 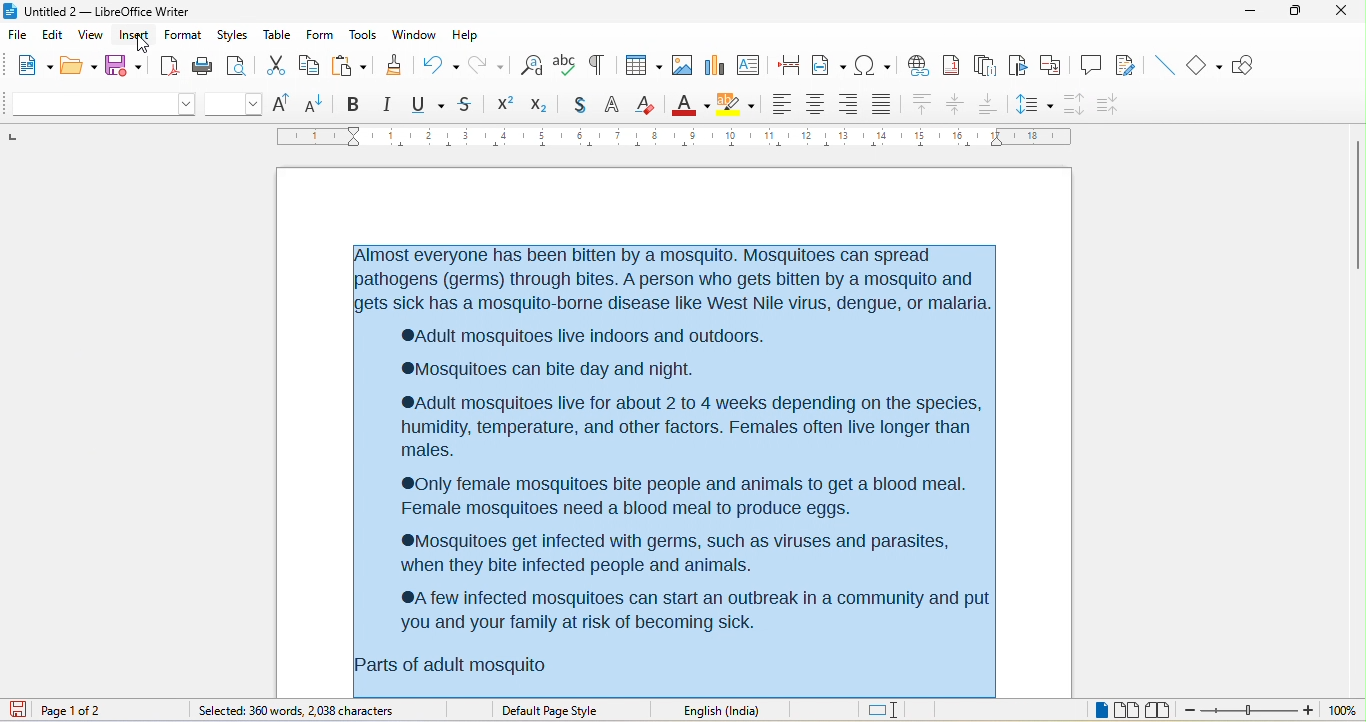 I want to click on basic shape, so click(x=1203, y=64).